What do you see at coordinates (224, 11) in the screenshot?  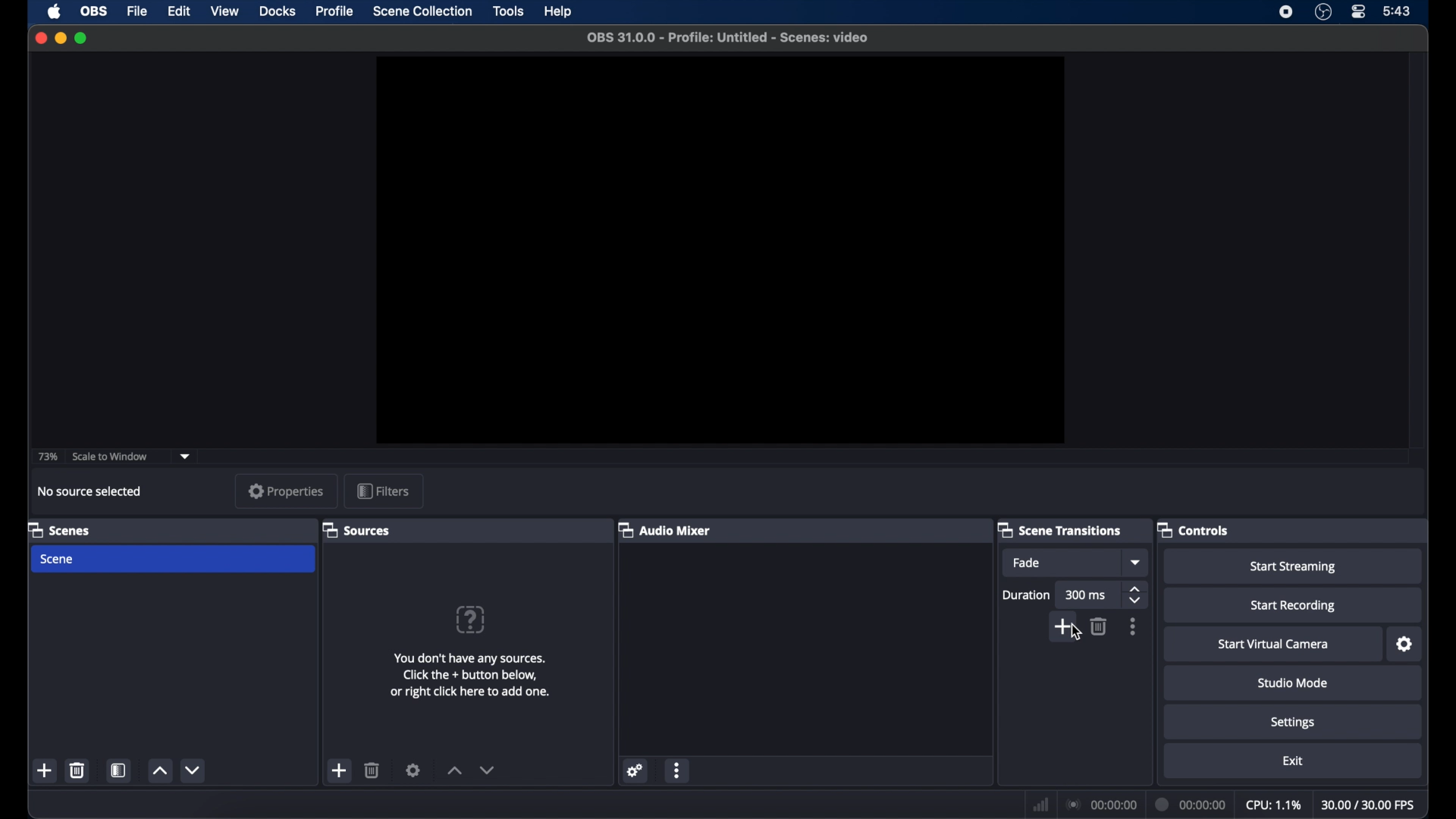 I see `view` at bounding box center [224, 11].